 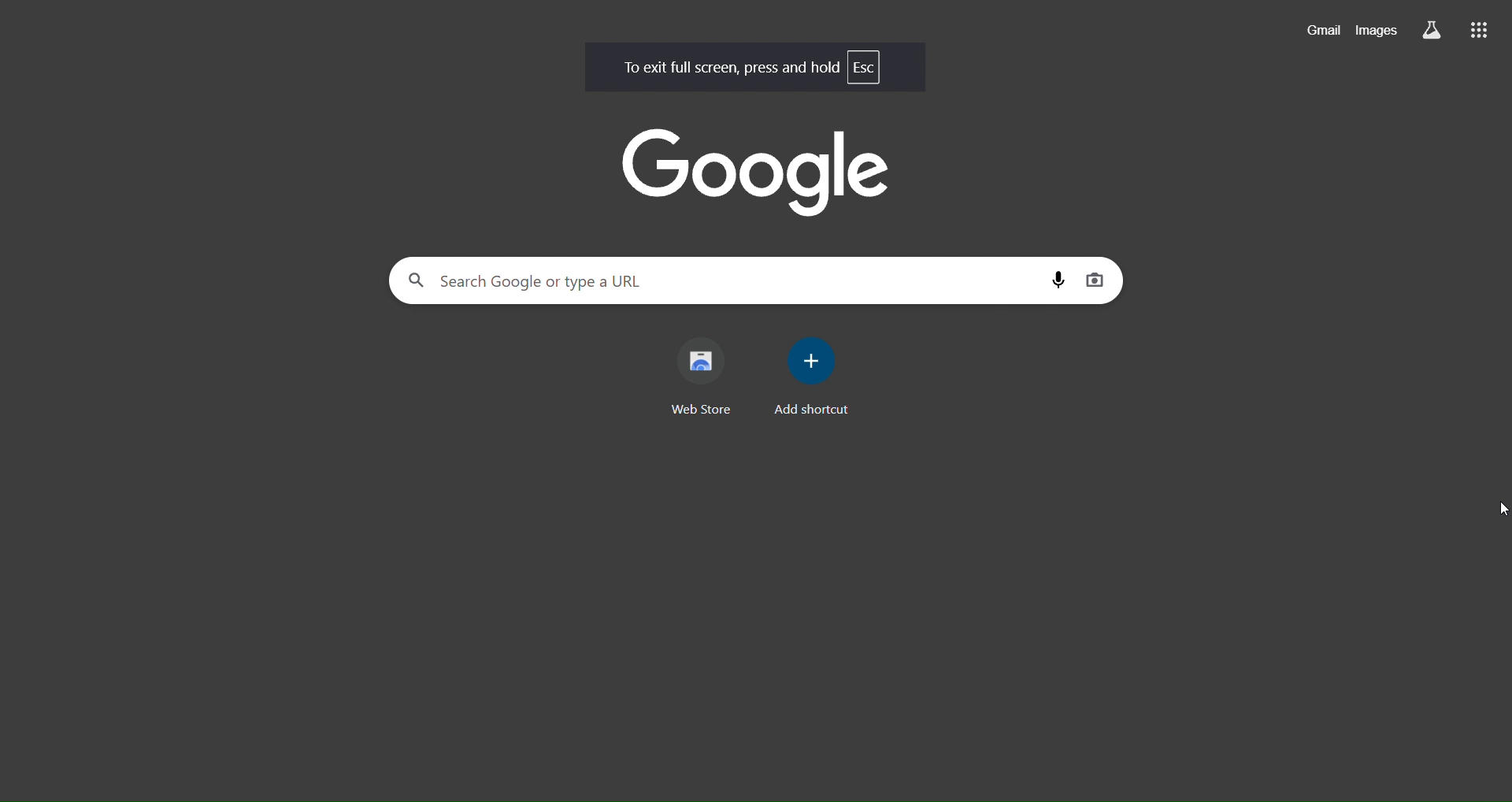 I want to click on image search, so click(x=1092, y=280).